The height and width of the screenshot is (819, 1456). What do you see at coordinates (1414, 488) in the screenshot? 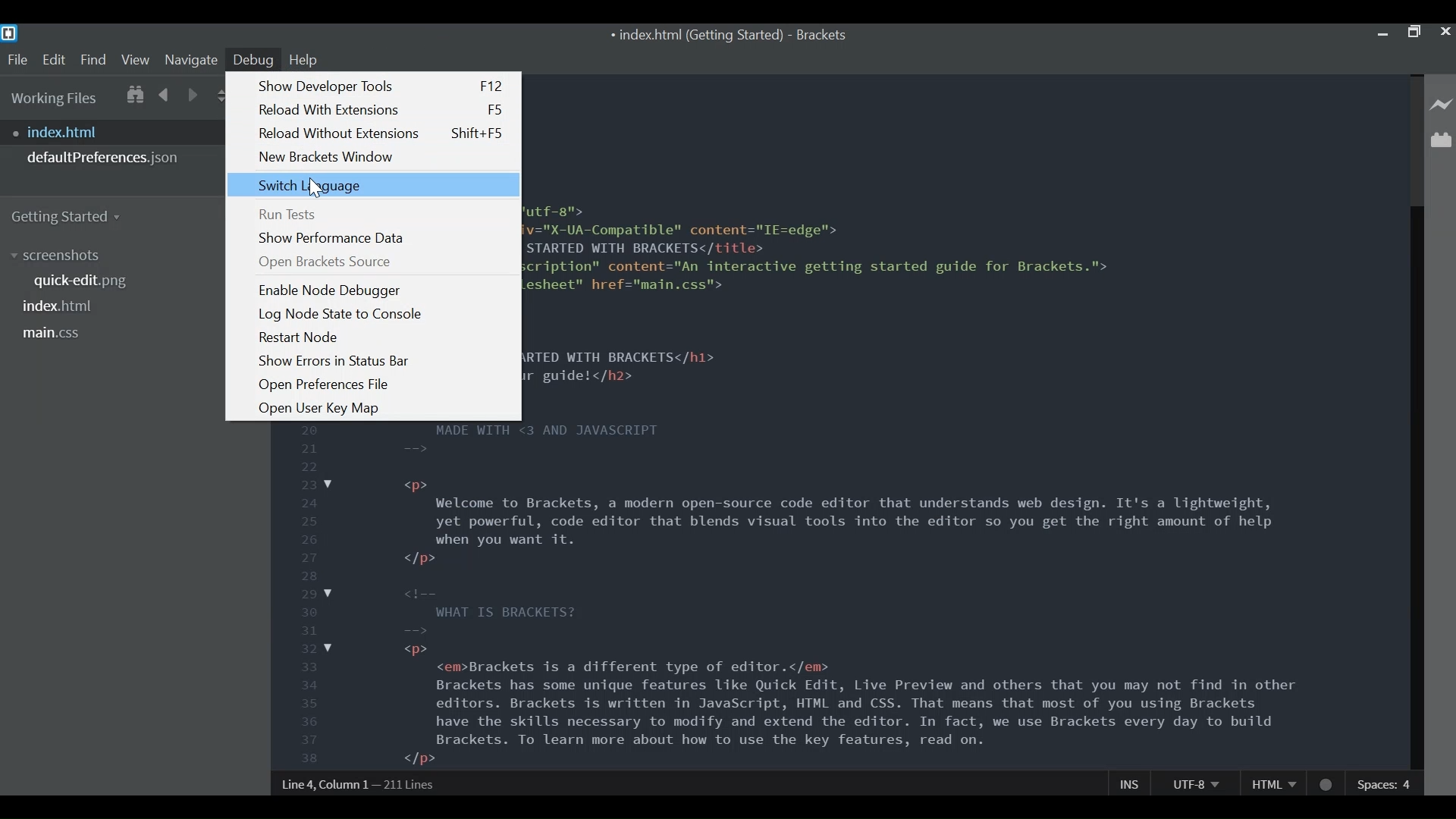
I see `Vertical Scroll bar` at bounding box center [1414, 488].